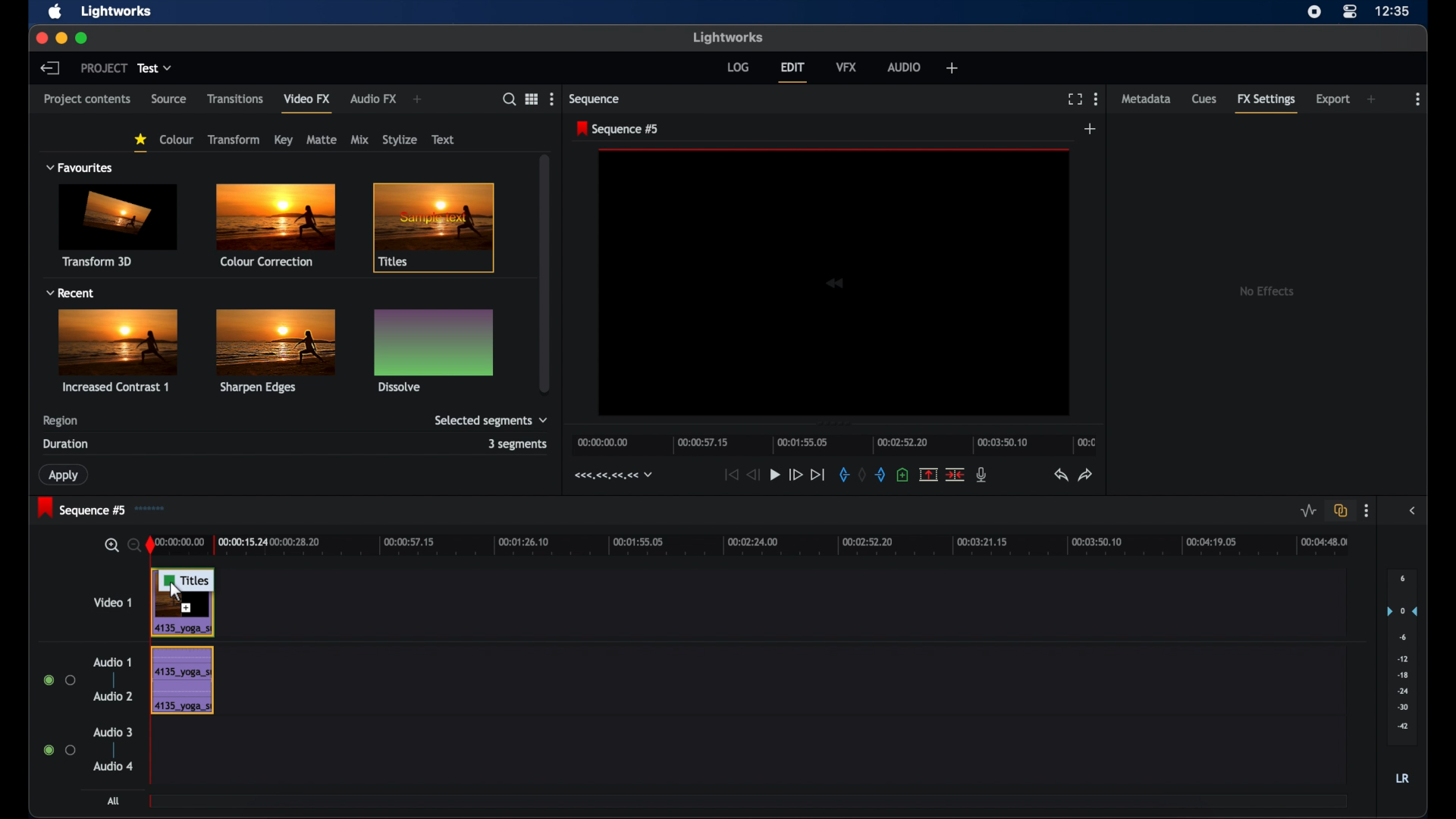 Image resolution: width=1456 pixels, height=819 pixels. Describe the element at coordinates (551, 98) in the screenshot. I see `more options` at that location.